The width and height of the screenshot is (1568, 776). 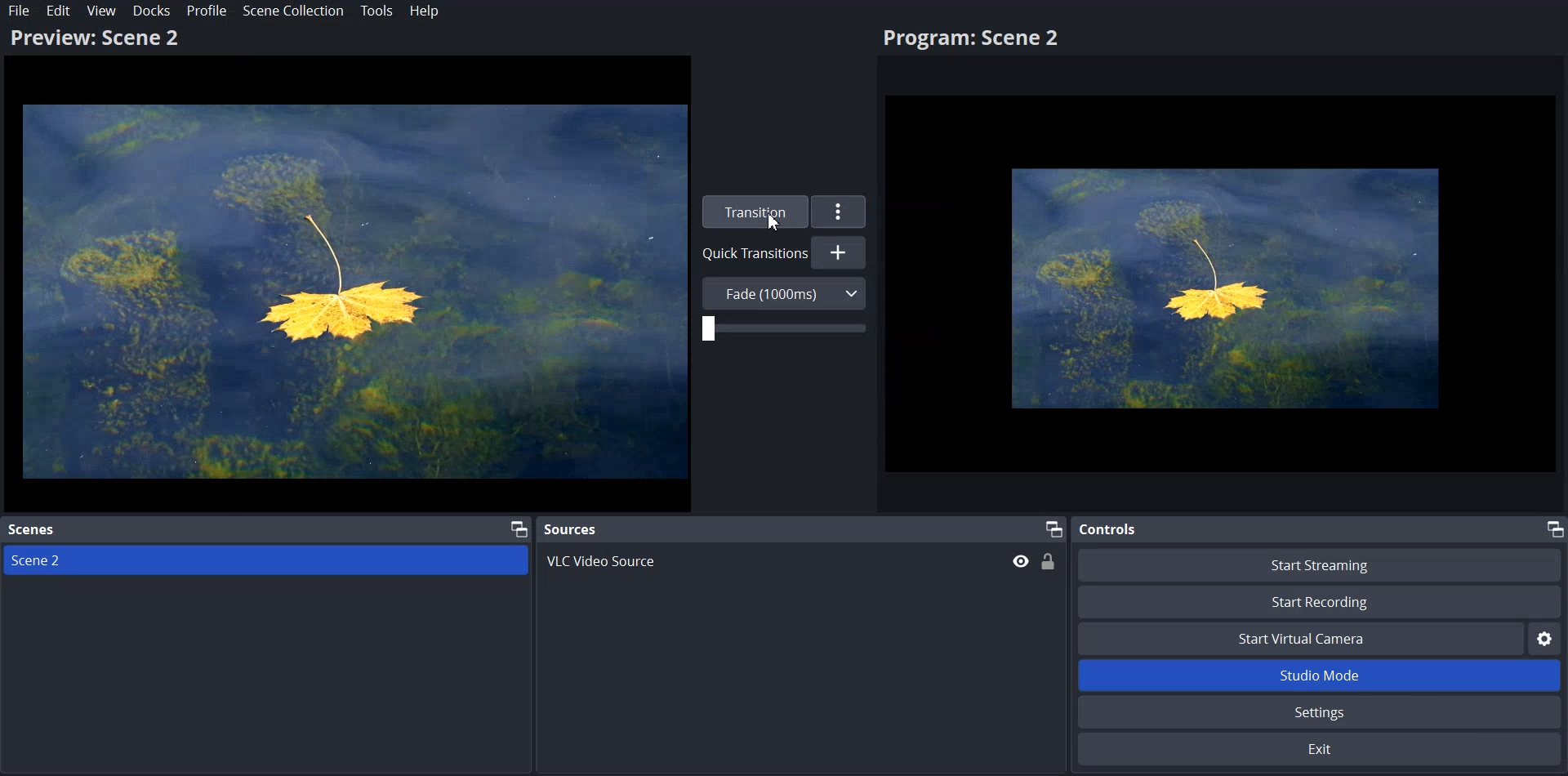 I want to click on Scene Collection, so click(x=293, y=11).